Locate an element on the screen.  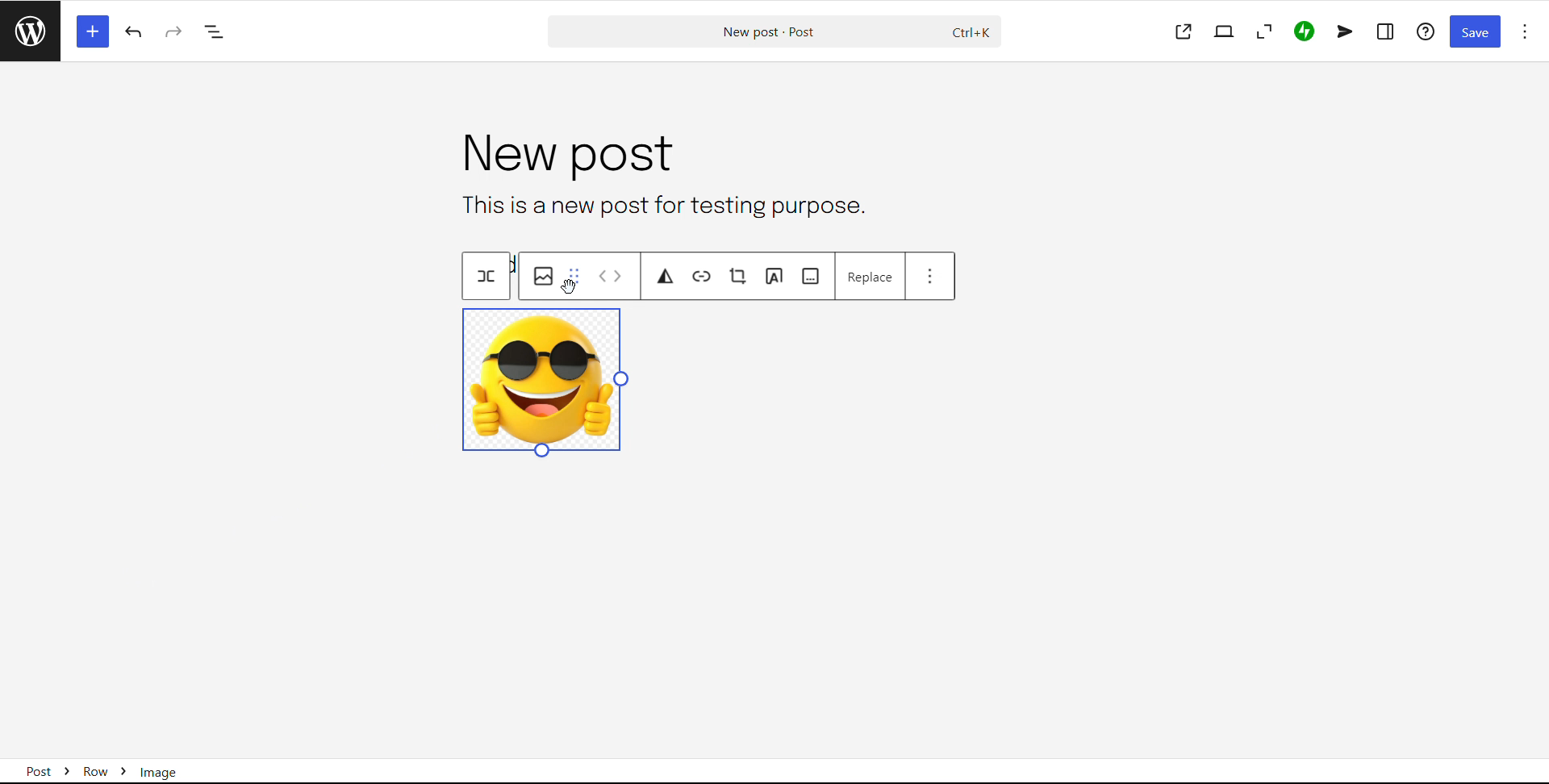
brackets is located at coordinates (486, 276).